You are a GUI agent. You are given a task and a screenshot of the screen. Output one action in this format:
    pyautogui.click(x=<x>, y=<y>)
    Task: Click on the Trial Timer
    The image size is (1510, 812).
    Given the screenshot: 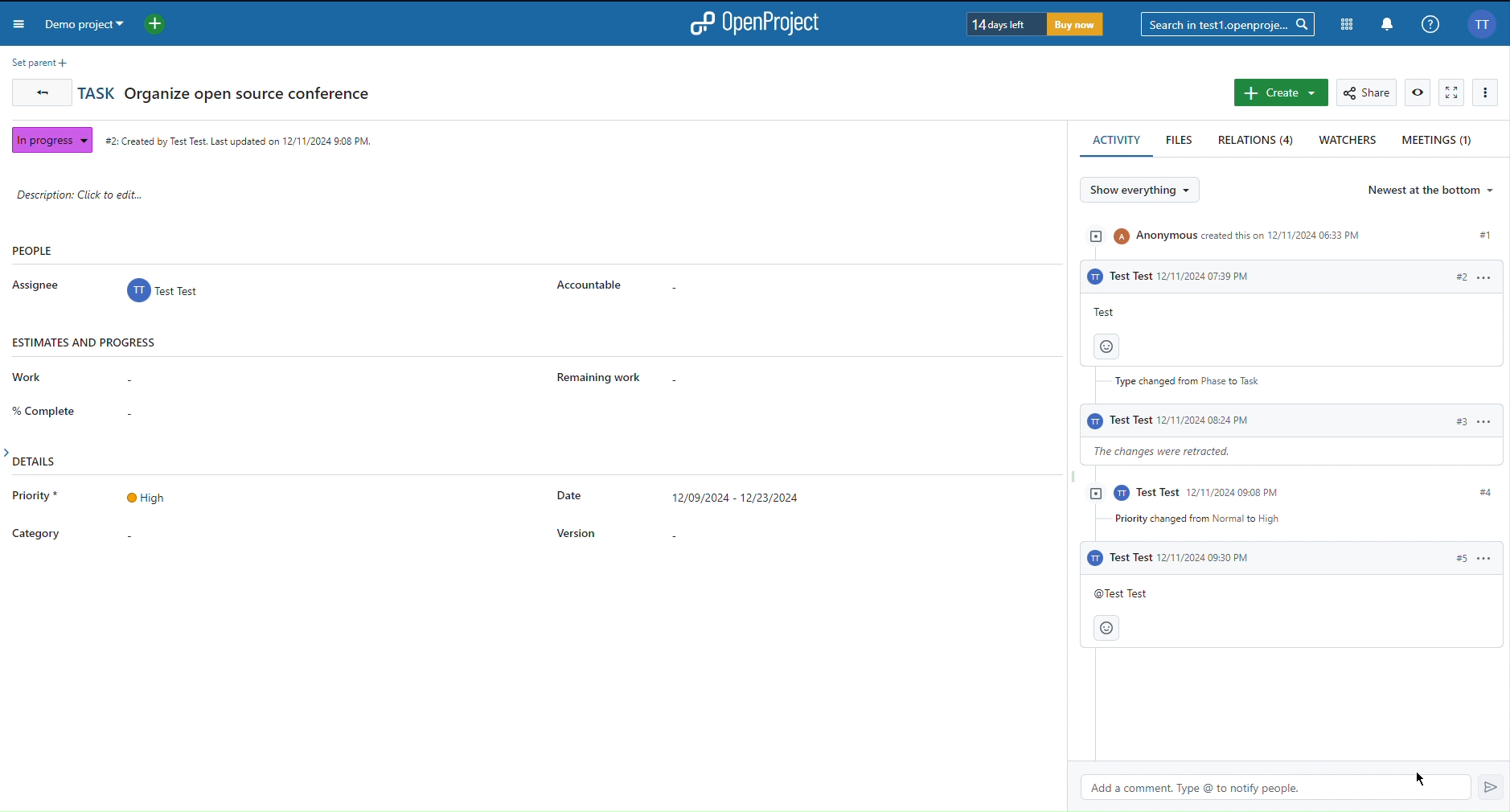 What is the action you would take?
    pyautogui.click(x=1032, y=24)
    